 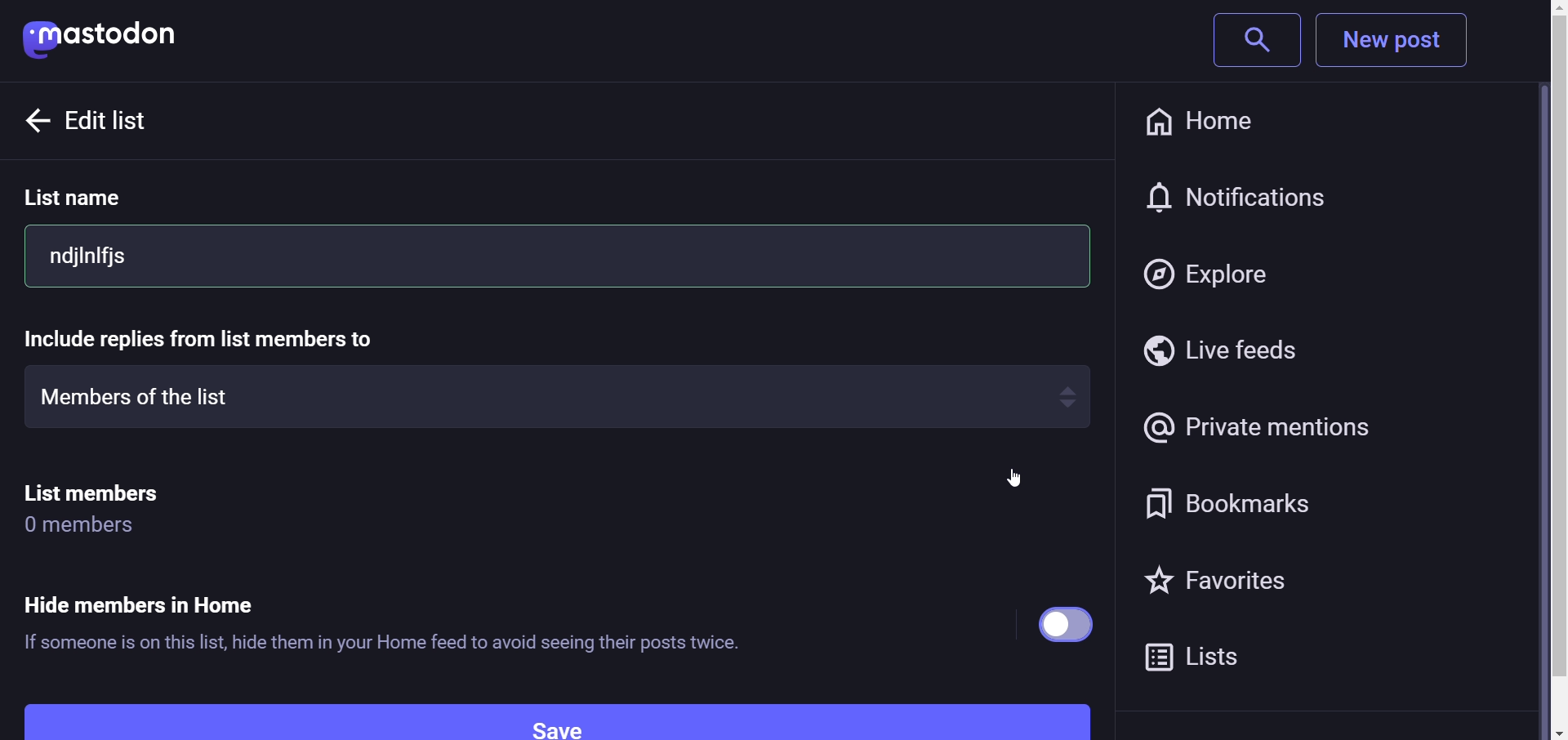 What do you see at coordinates (557, 719) in the screenshot?
I see `Save` at bounding box center [557, 719].